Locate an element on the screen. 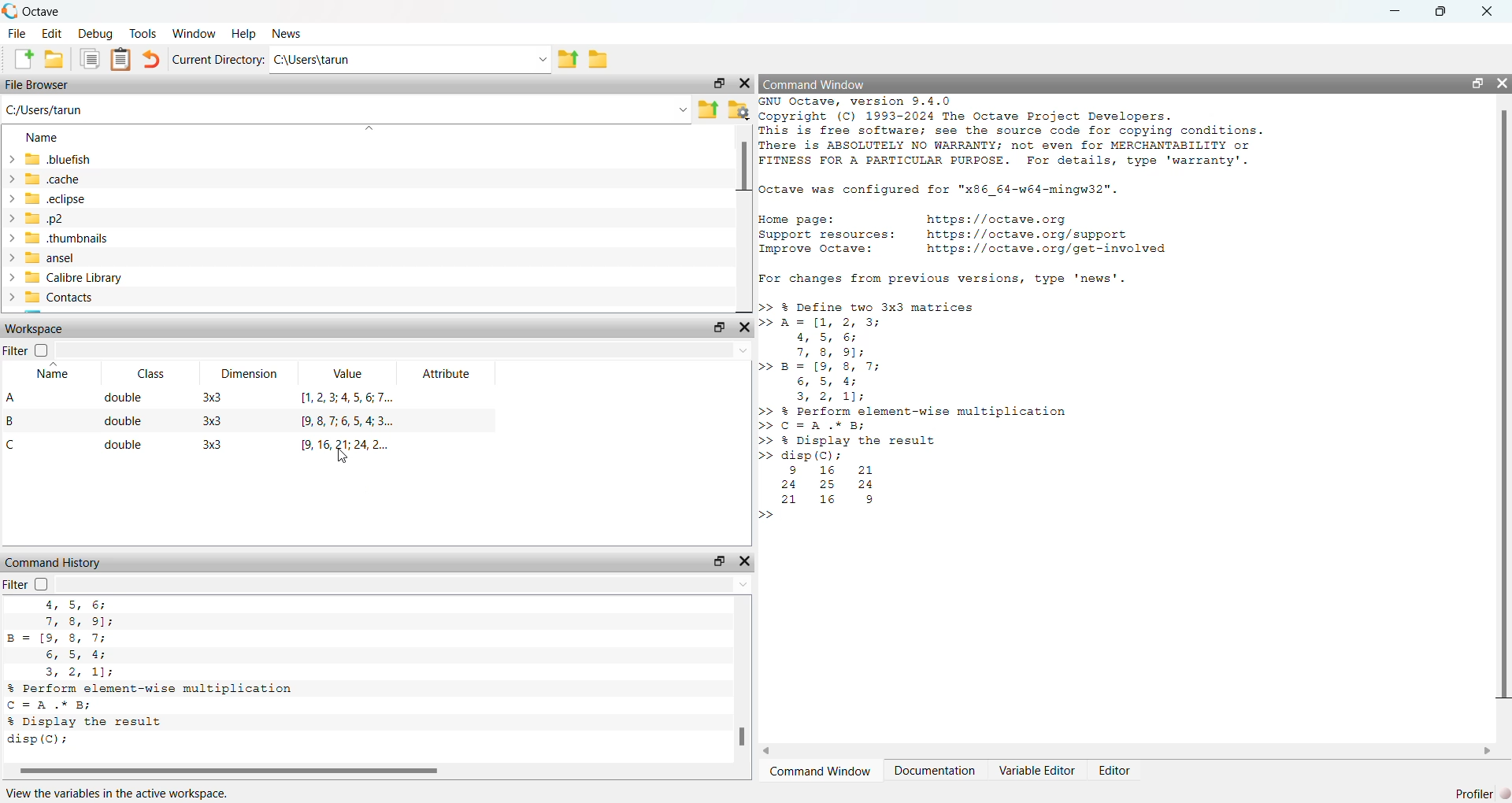  Octave was configured for "x86_64-w64-mingw32".

Home page: https://octave.org

Support resources:  https://octave.org/support
Improve Octave: https://octave.org/get-involved
For changes from previous versions, type 'news'. is located at coordinates (967, 234).